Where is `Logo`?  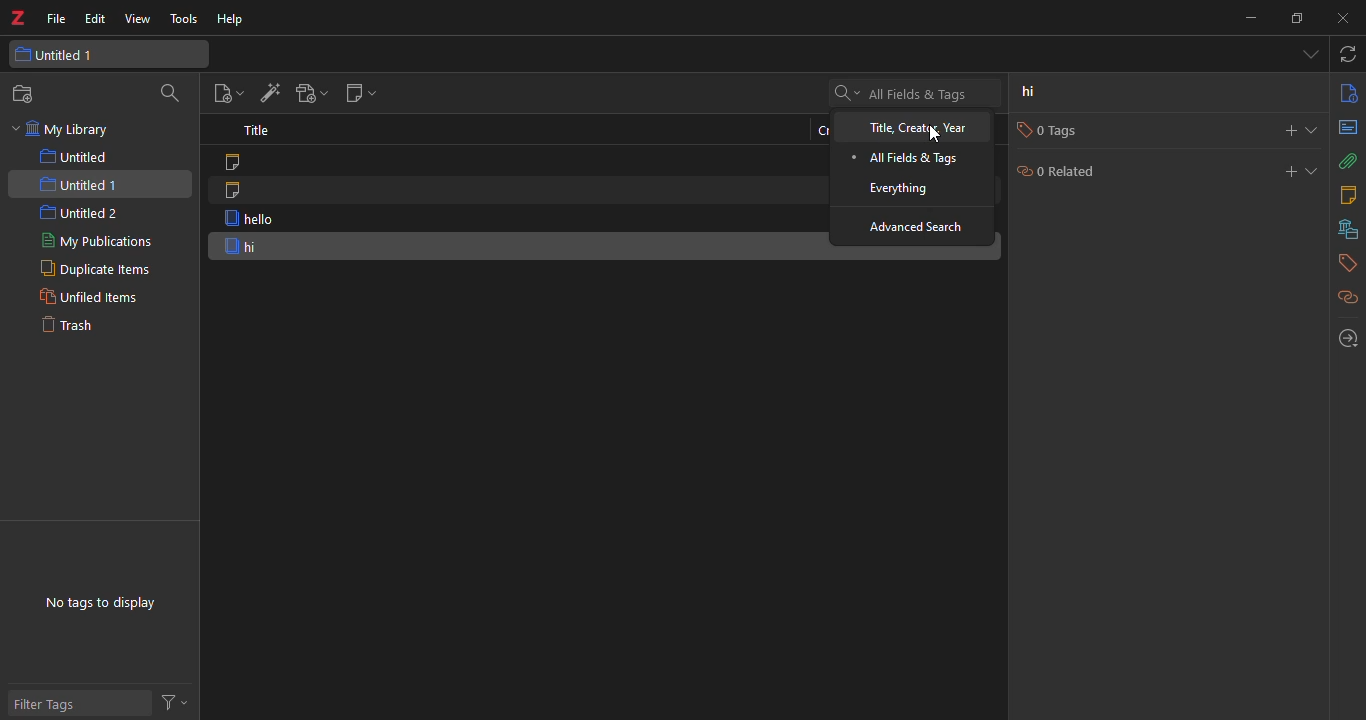 Logo is located at coordinates (16, 18).